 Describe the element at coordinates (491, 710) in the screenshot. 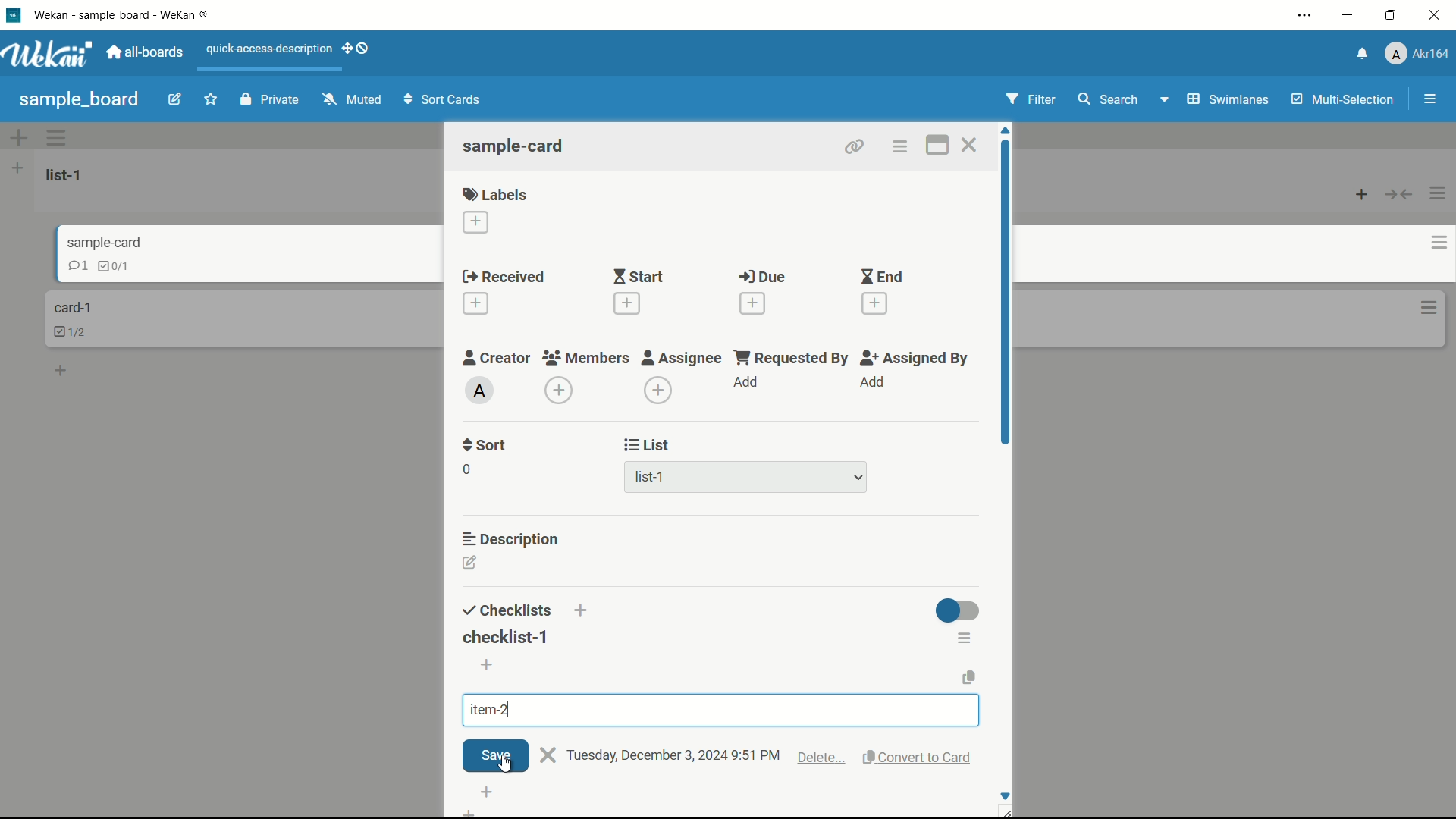

I see `item-2` at that location.